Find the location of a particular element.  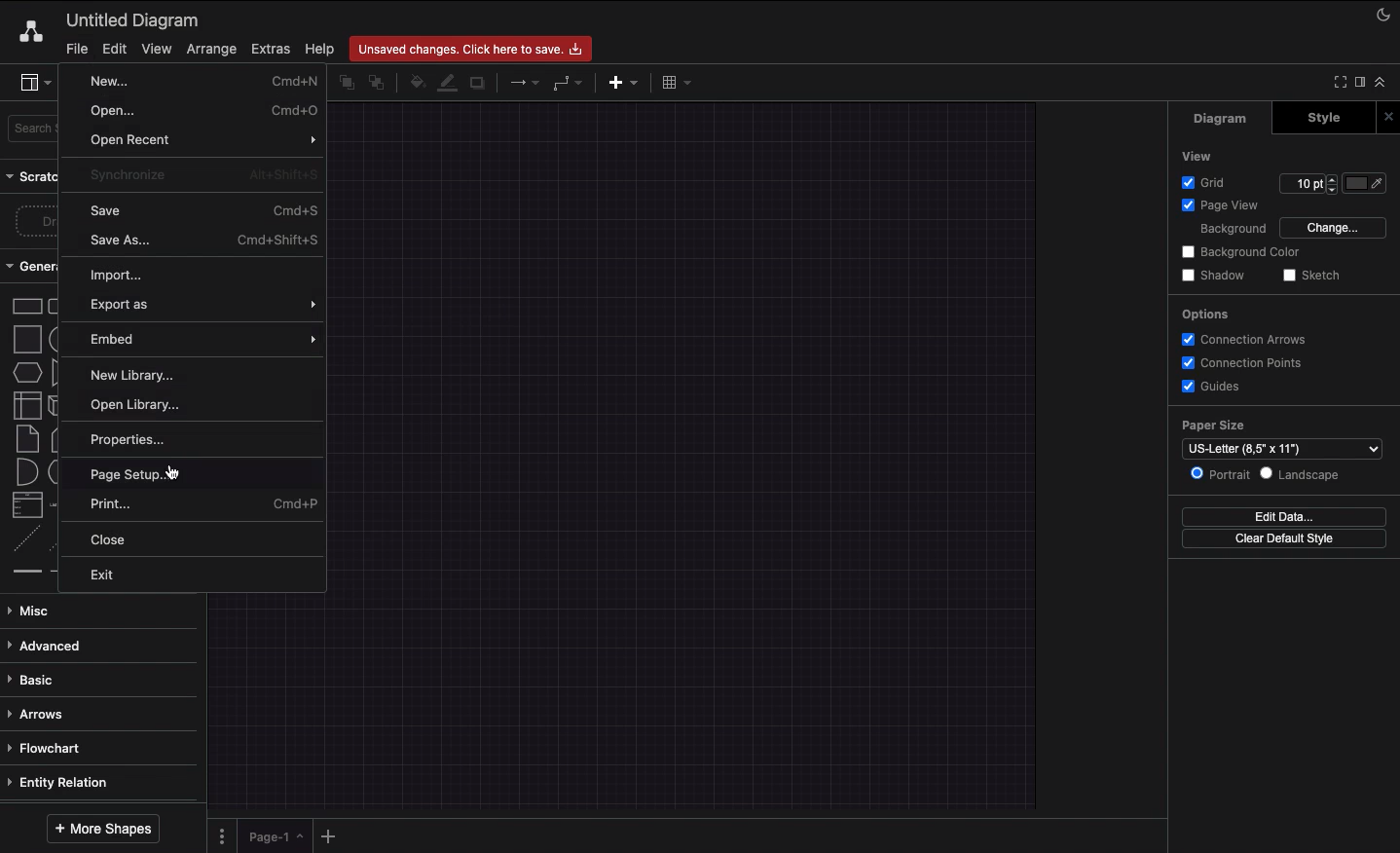

Edit is located at coordinates (112, 49).